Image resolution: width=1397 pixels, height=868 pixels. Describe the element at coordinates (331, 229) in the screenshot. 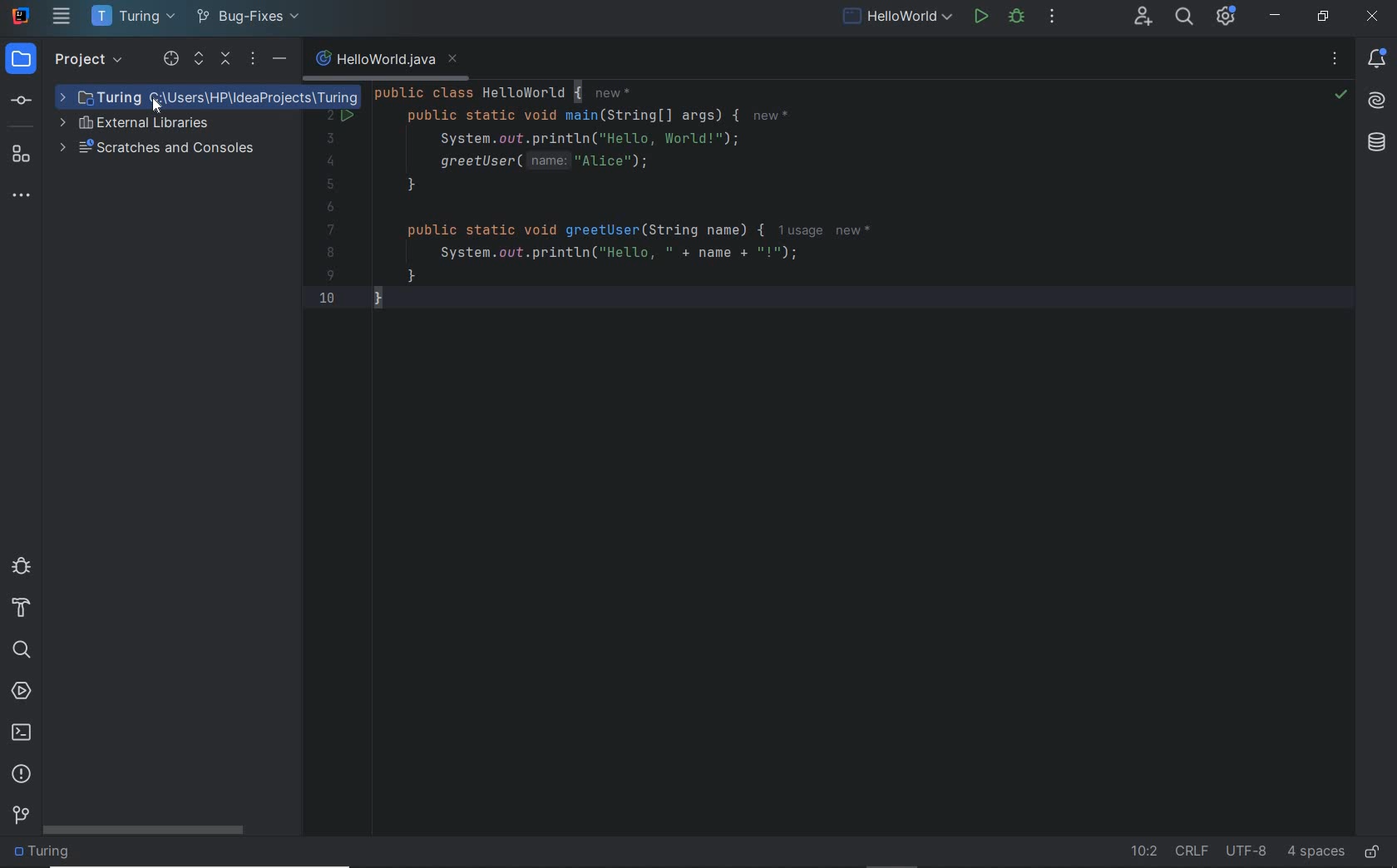

I see `7` at that location.